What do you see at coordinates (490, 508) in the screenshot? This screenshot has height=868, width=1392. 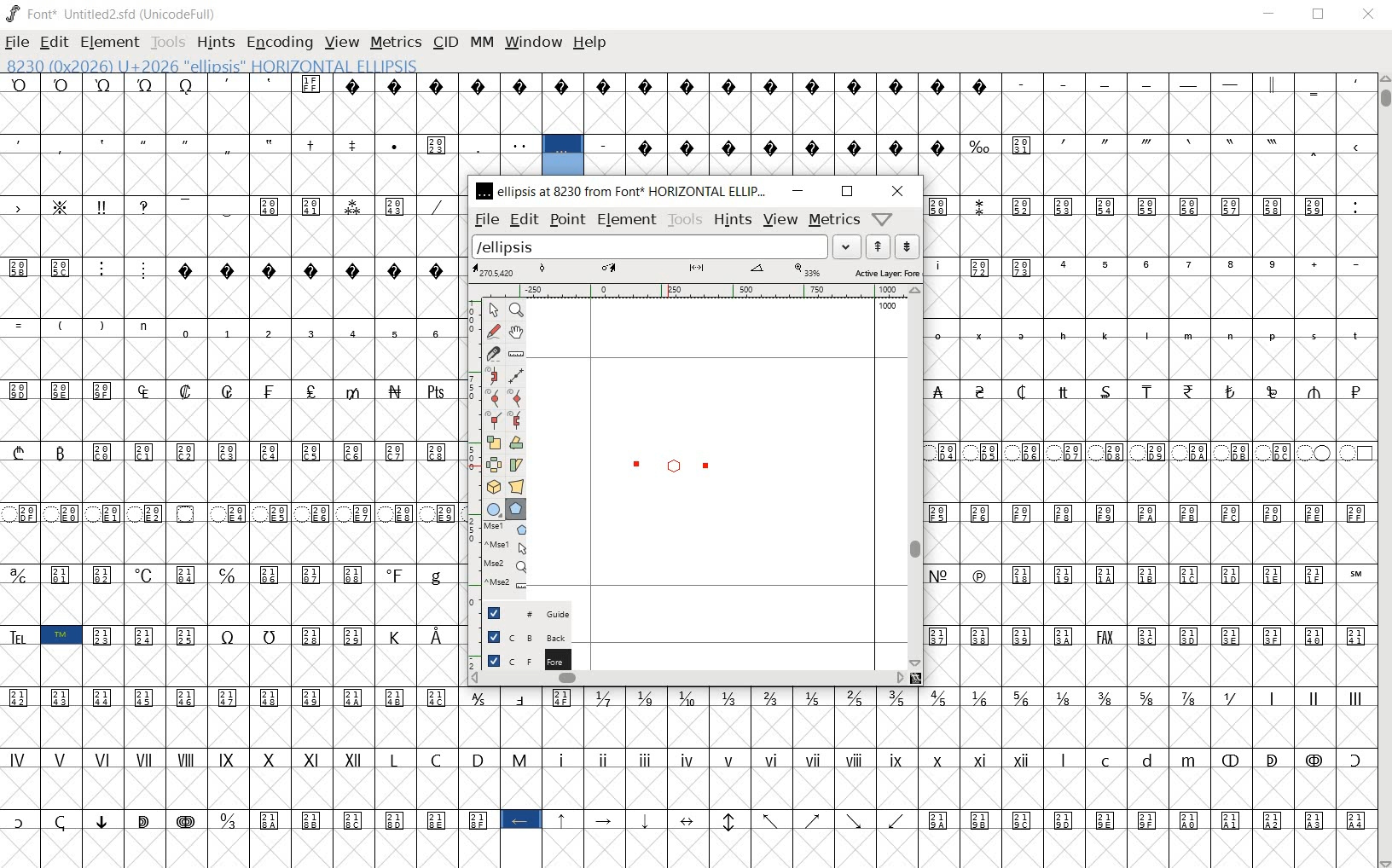 I see `rectangle or ellipse` at bounding box center [490, 508].